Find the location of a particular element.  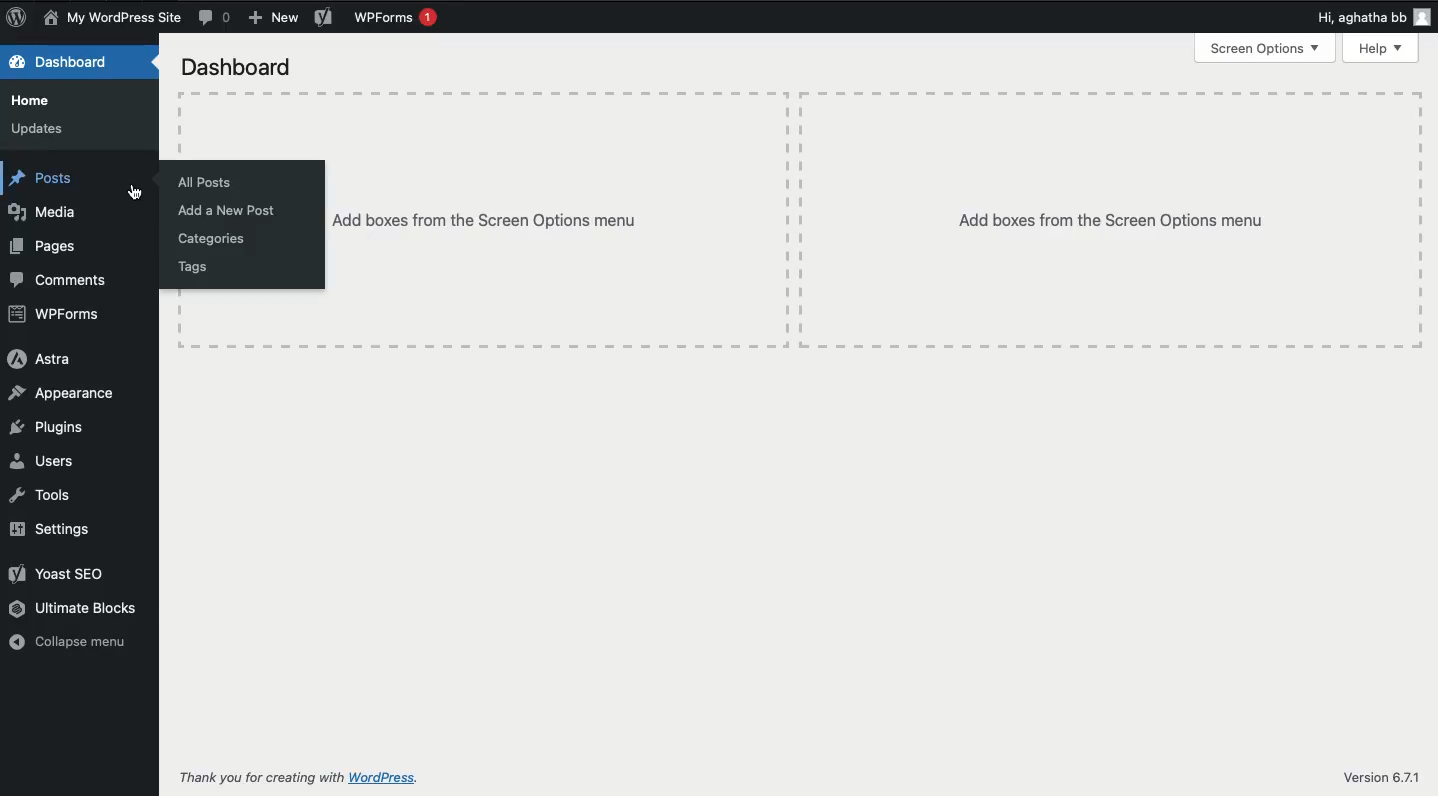

Media is located at coordinates (48, 210).